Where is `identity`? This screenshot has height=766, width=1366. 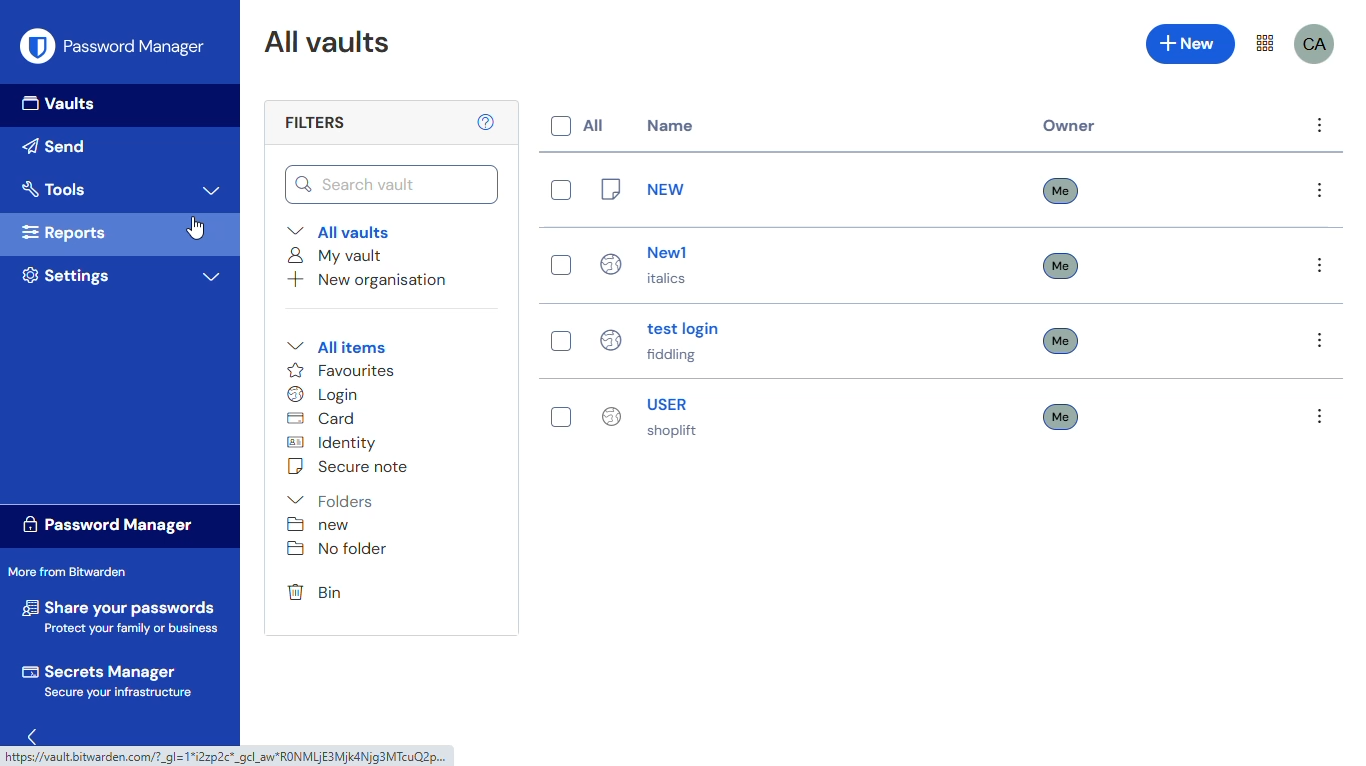 identity is located at coordinates (334, 442).